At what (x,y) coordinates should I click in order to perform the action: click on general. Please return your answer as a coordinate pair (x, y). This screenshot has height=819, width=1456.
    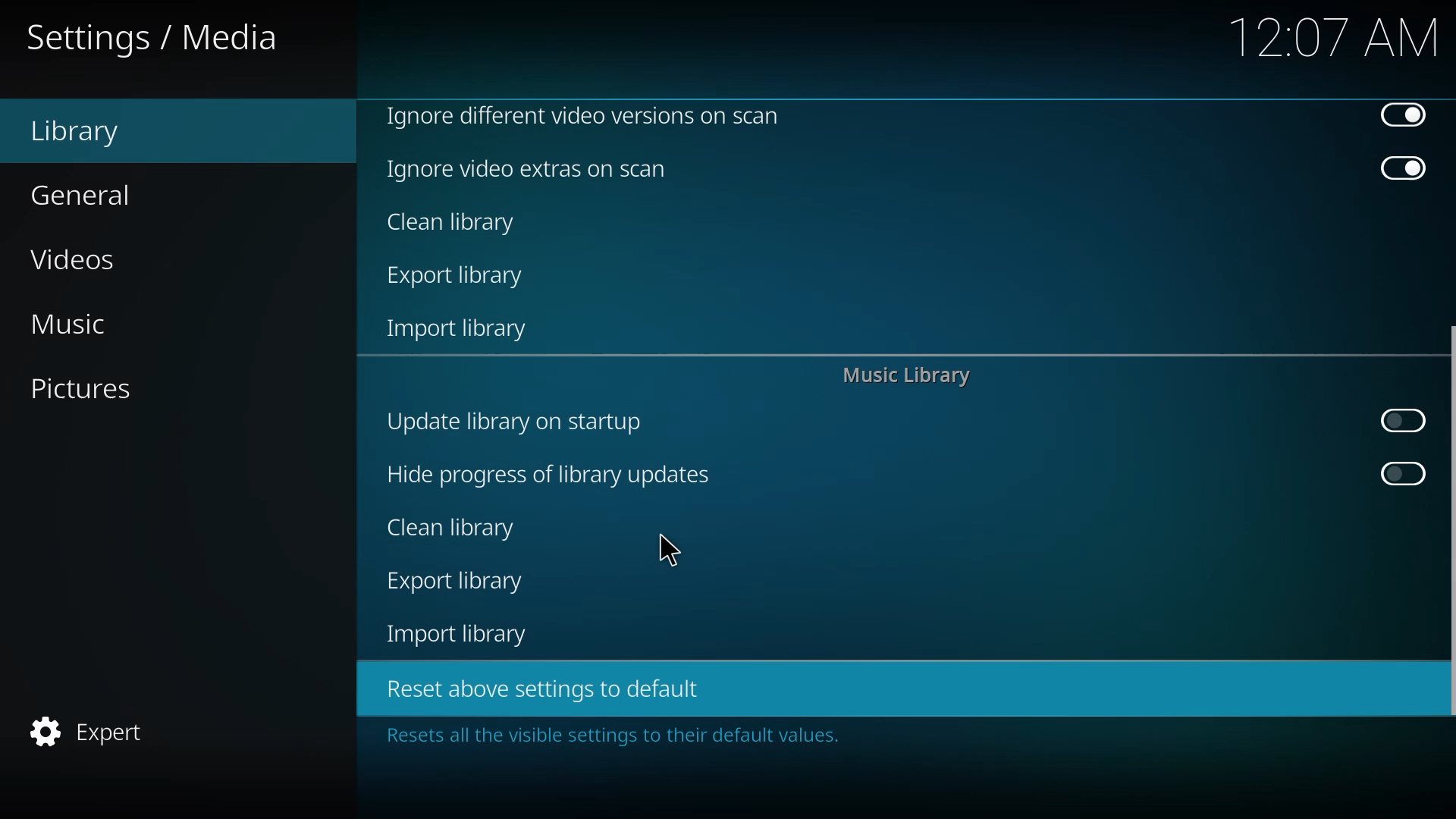
    Looking at the image, I should click on (82, 196).